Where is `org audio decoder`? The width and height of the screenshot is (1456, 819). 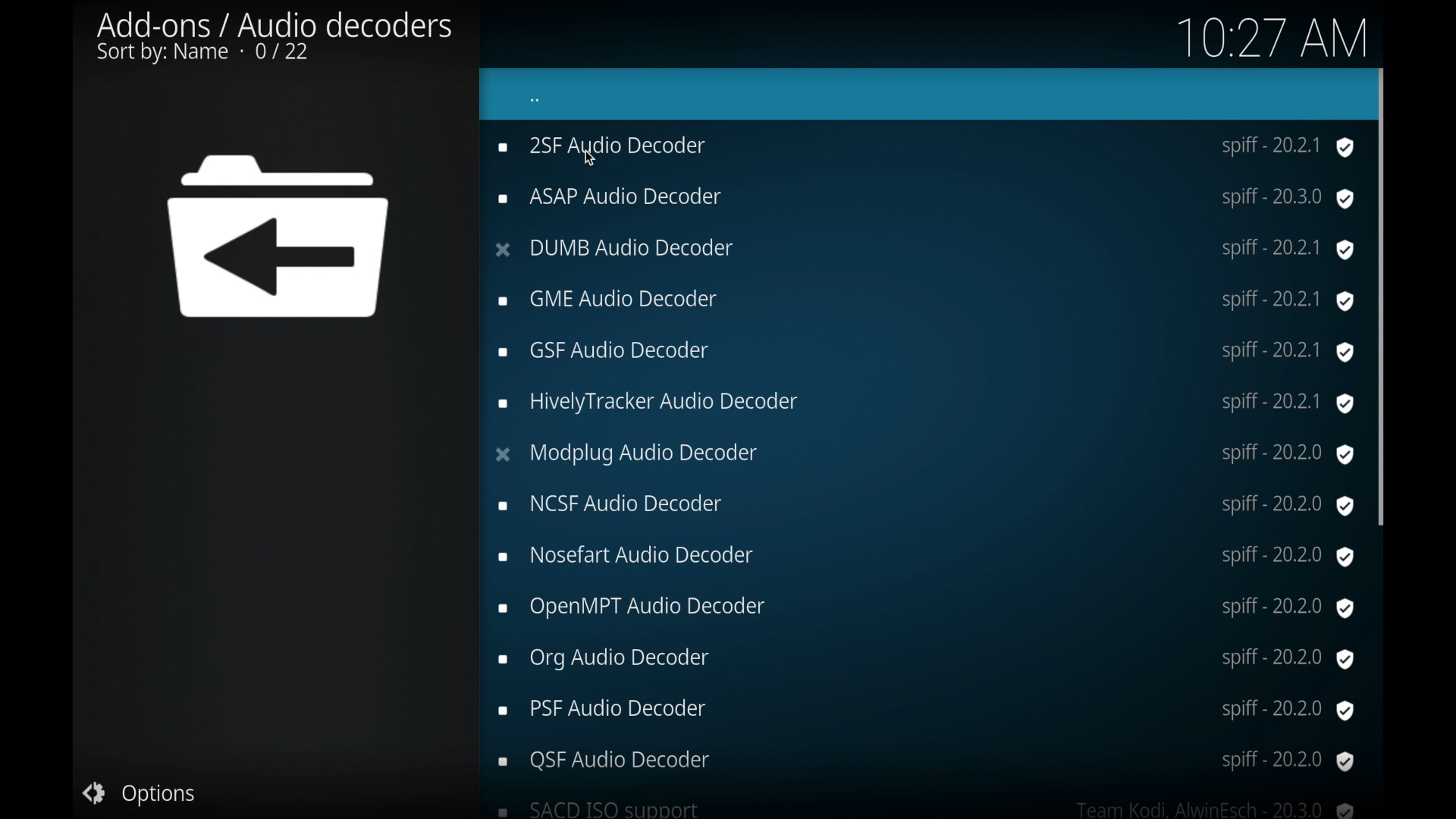
org audio decoder is located at coordinates (925, 657).